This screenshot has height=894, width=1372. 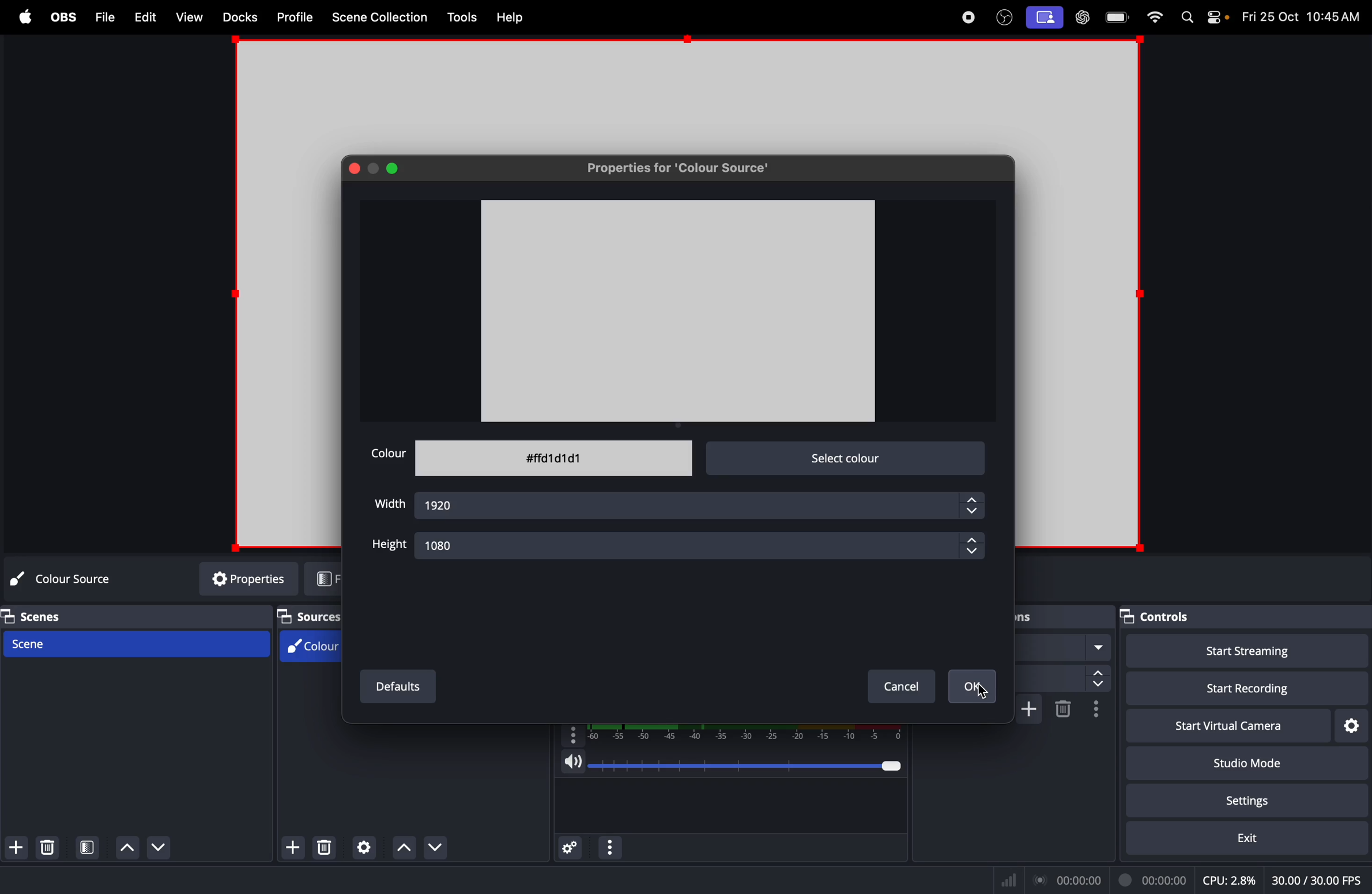 What do you see at coordinates (140, 642) in the screenshot?
I see `Scene` at bounding box center [140, 642].